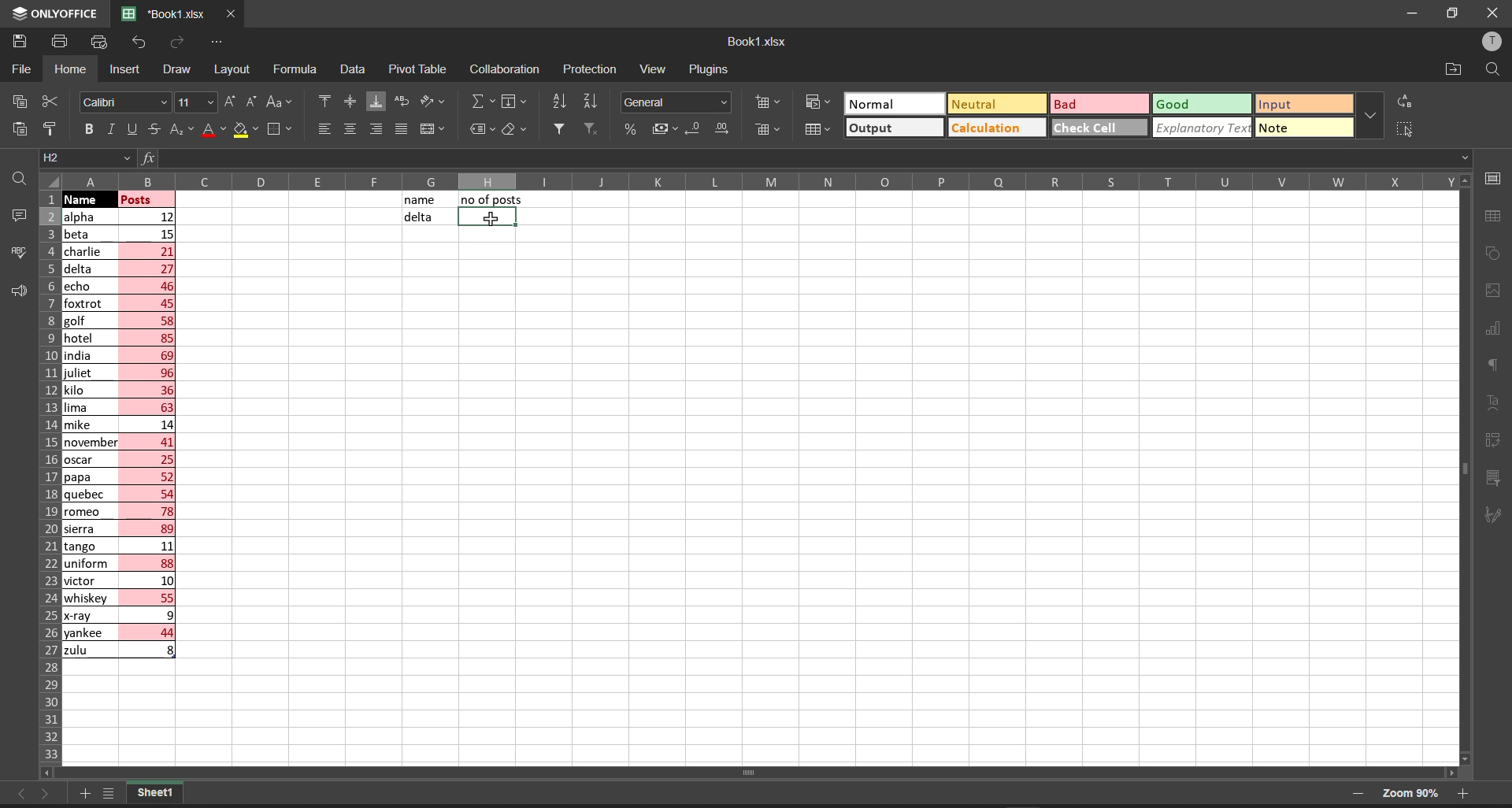 The height and width of the screenshot is (808, 1512). I want to click on font color, so click(212, 129).